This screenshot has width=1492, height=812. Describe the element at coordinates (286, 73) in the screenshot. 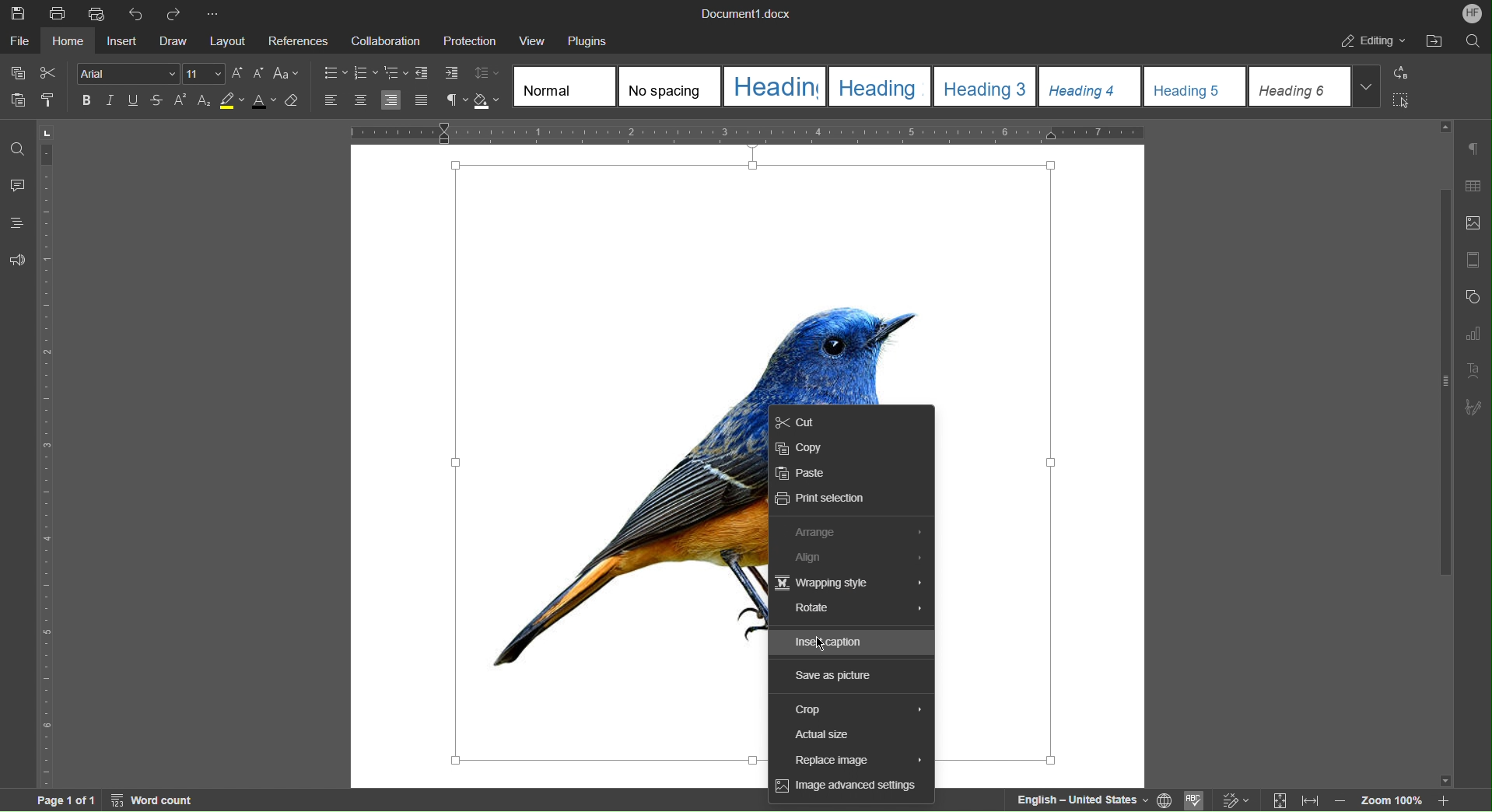

I see `Font Case` at that location.